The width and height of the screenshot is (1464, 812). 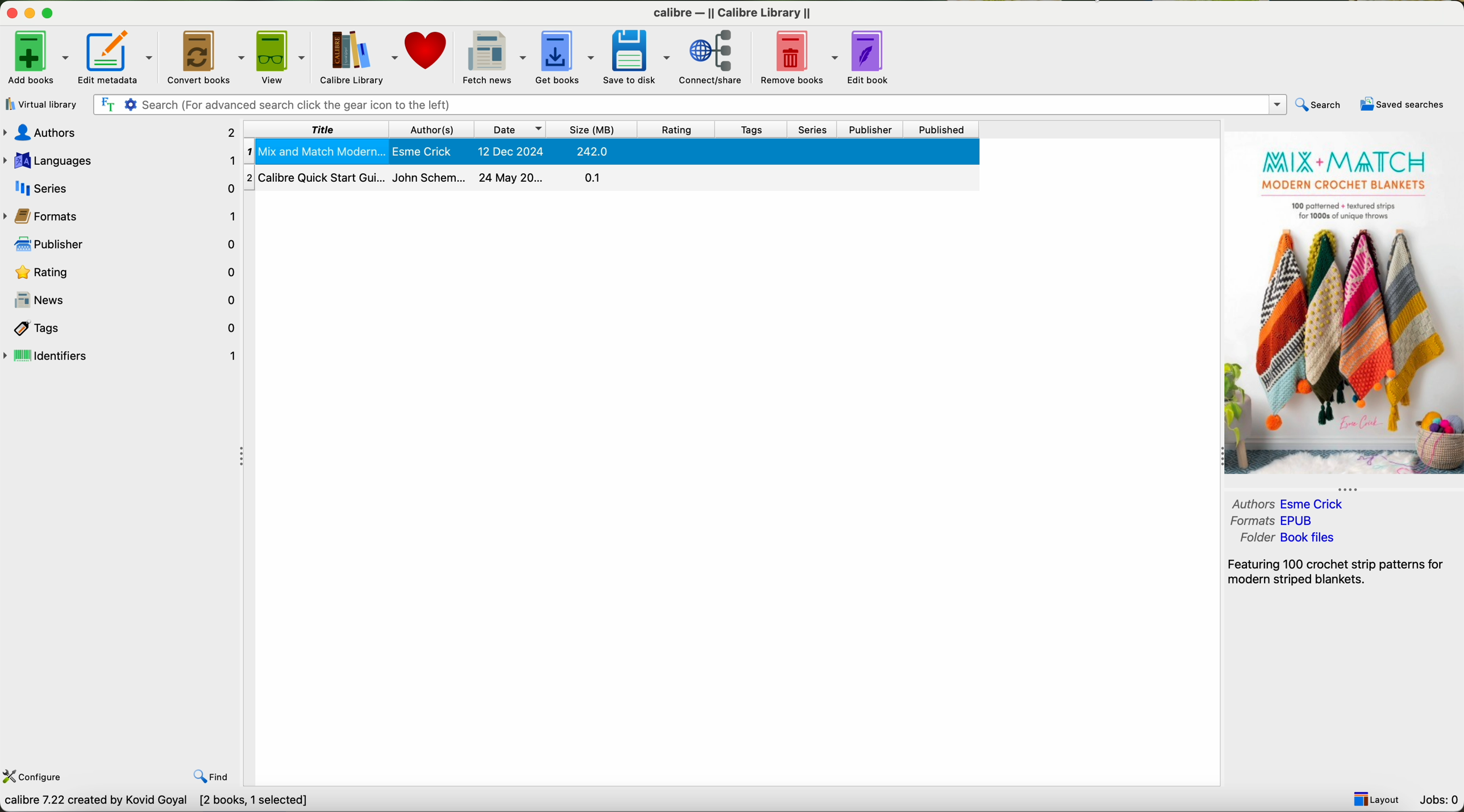 I want to click on identifiers, so click(x=121, y=356).